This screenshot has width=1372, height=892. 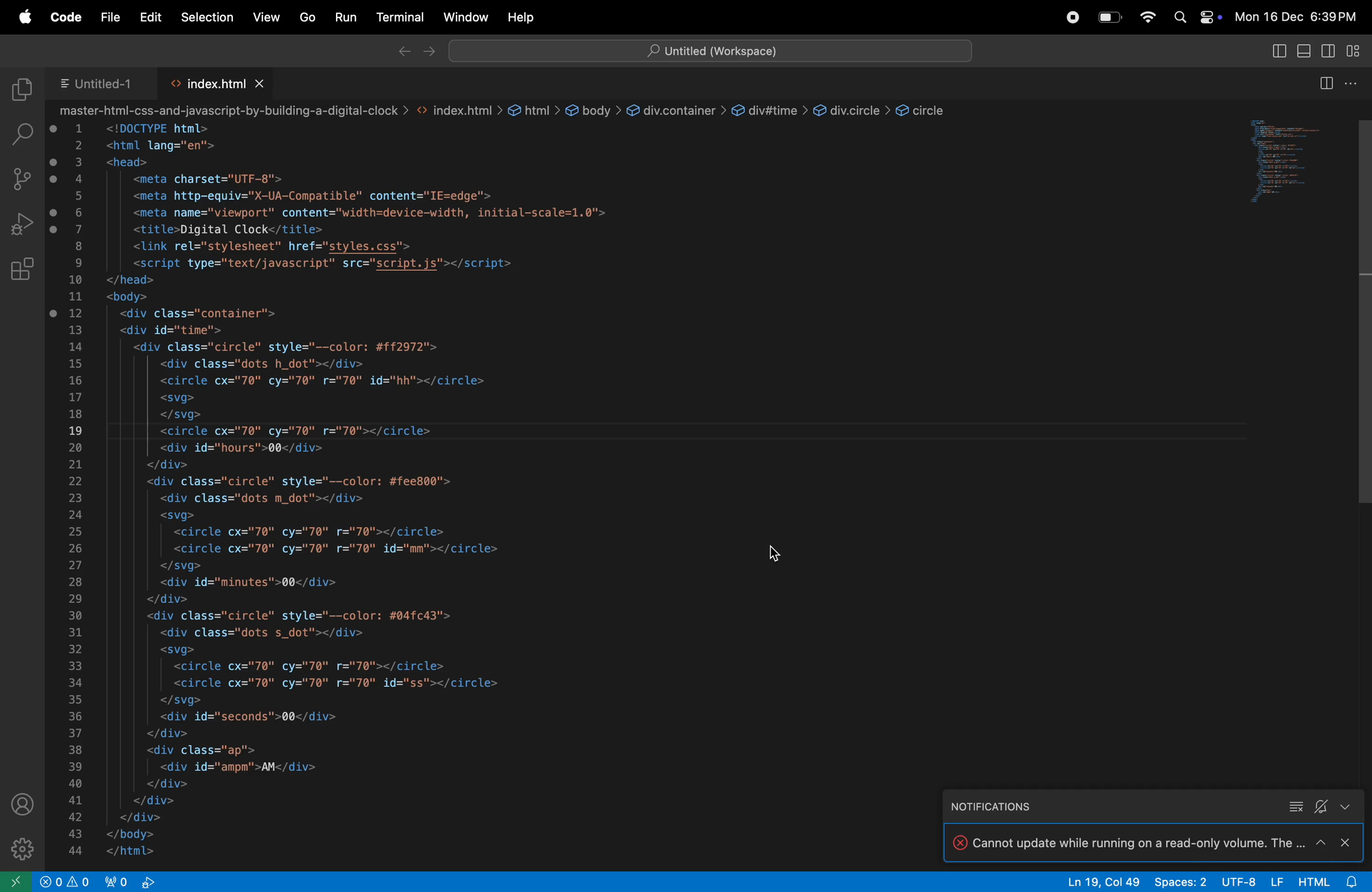 I want to click on forward, so click(x=428, y=52).